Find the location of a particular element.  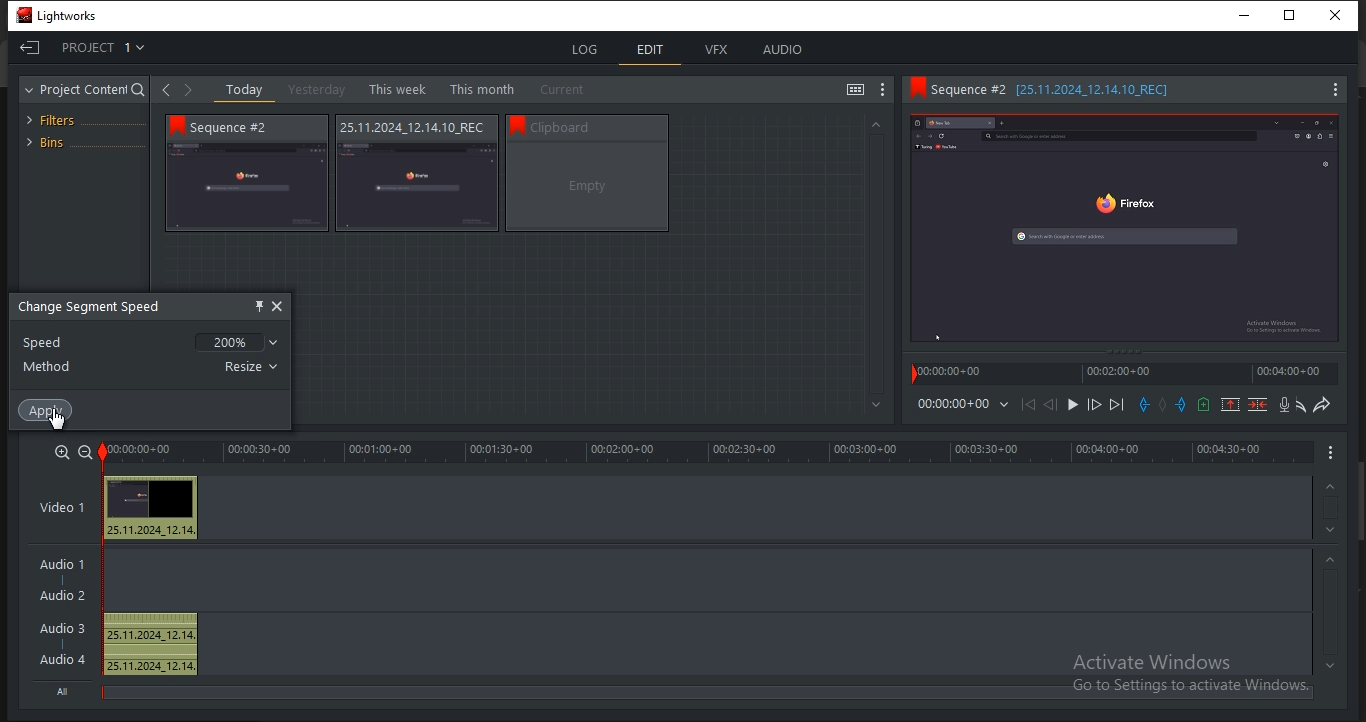

Sequence information is located at coordinates (1075, 90).